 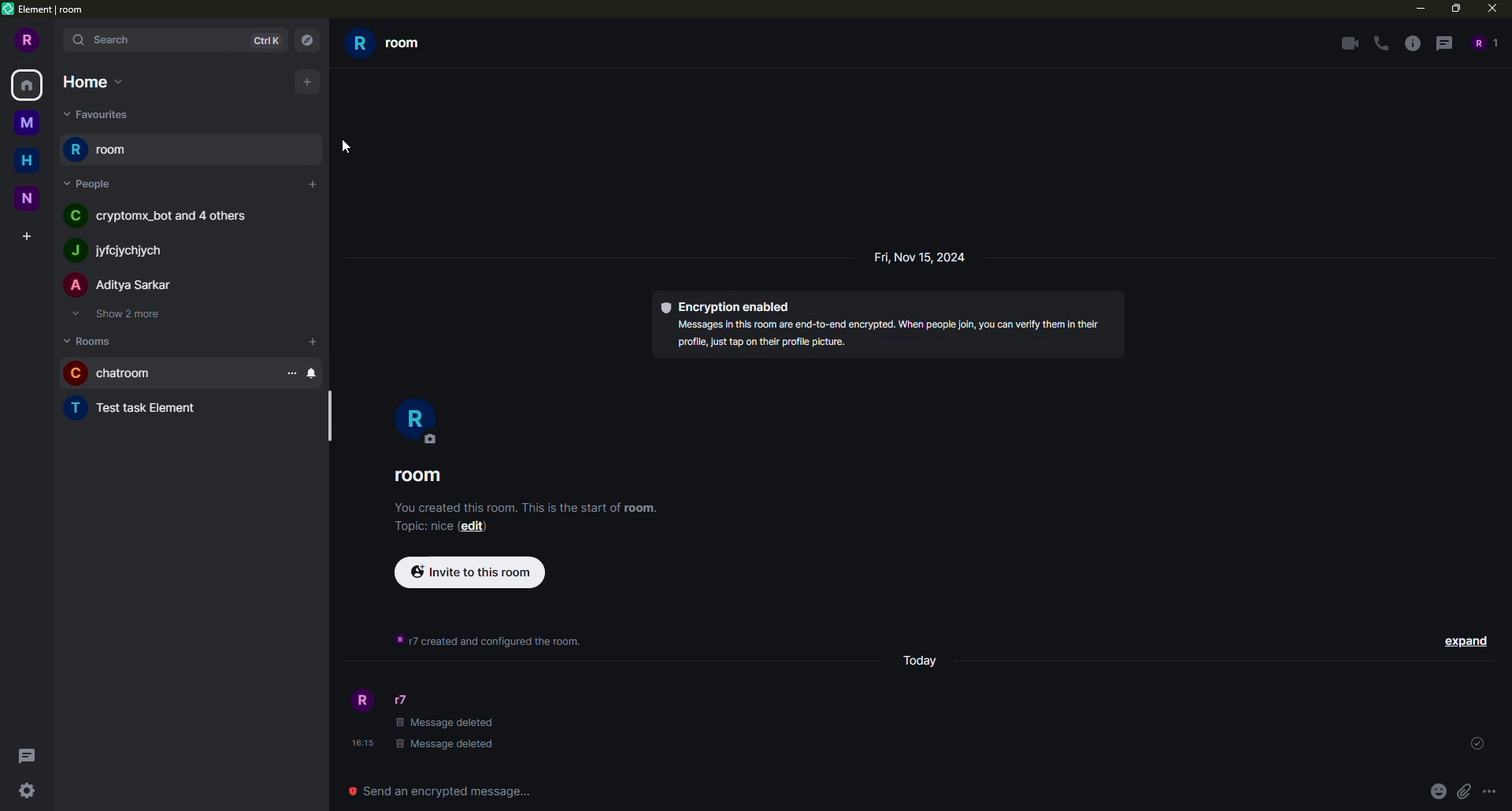 I want to click on people, so click(x=1484, y=43).